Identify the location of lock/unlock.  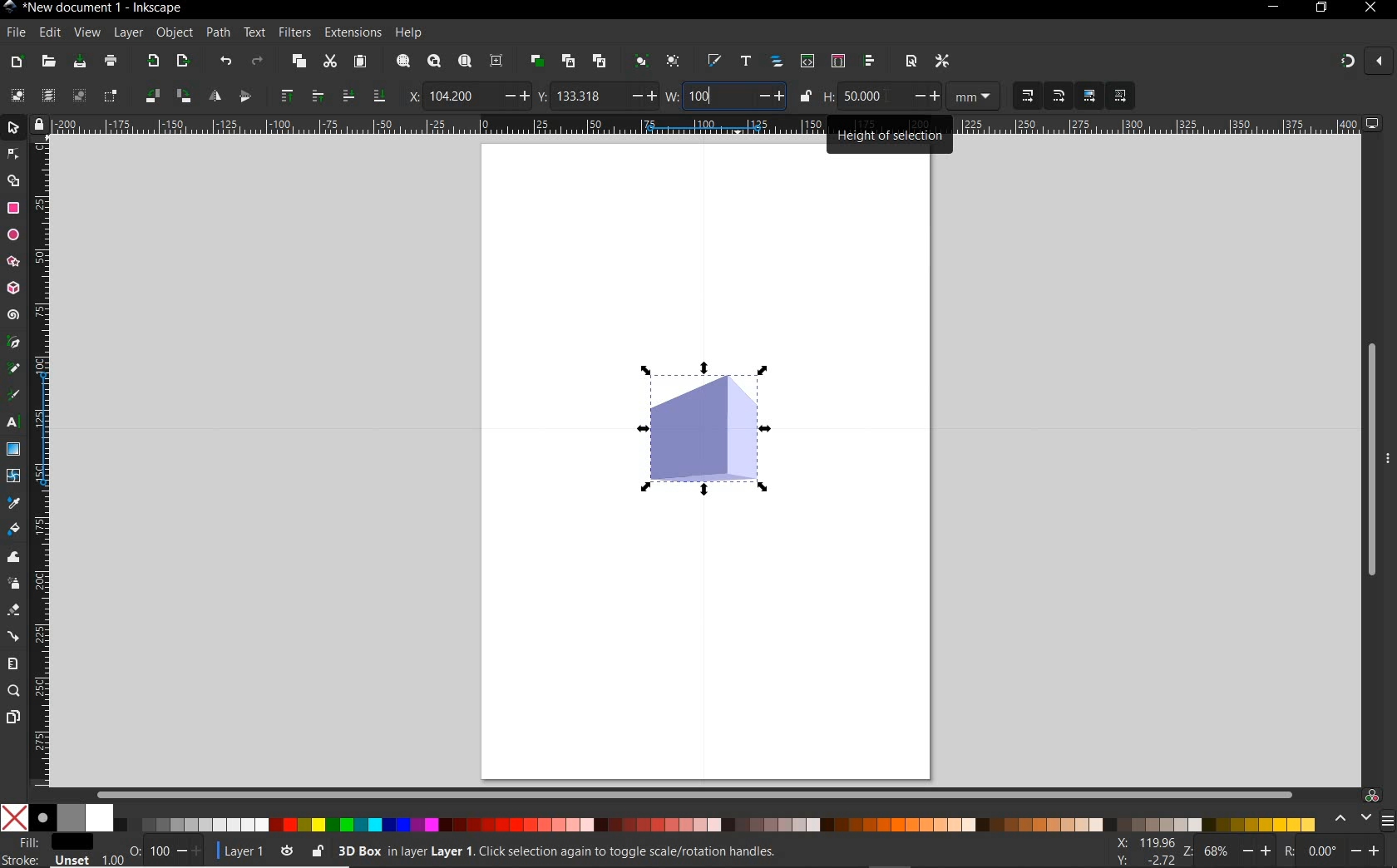
(806, 96).